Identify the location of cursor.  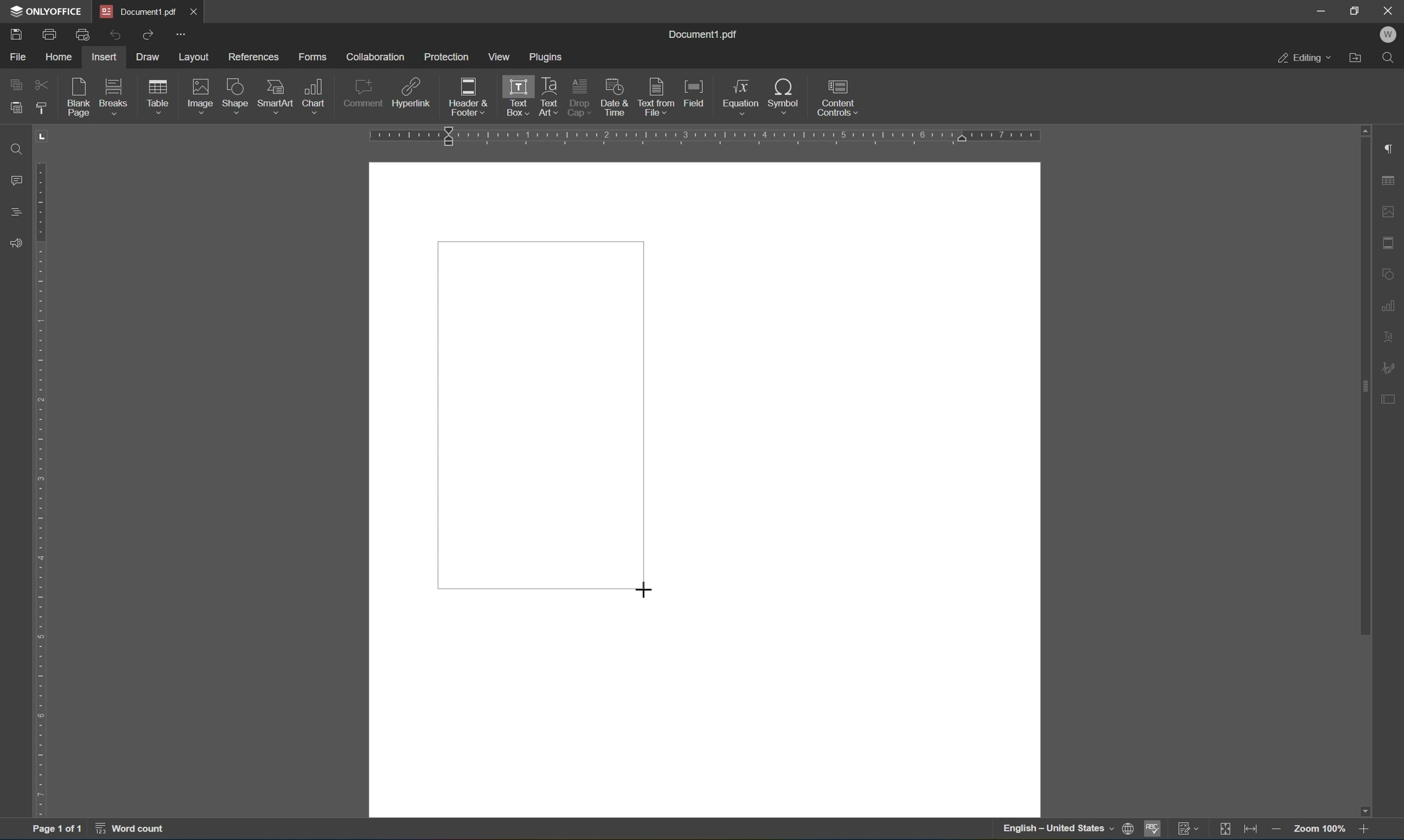
(640, 591).